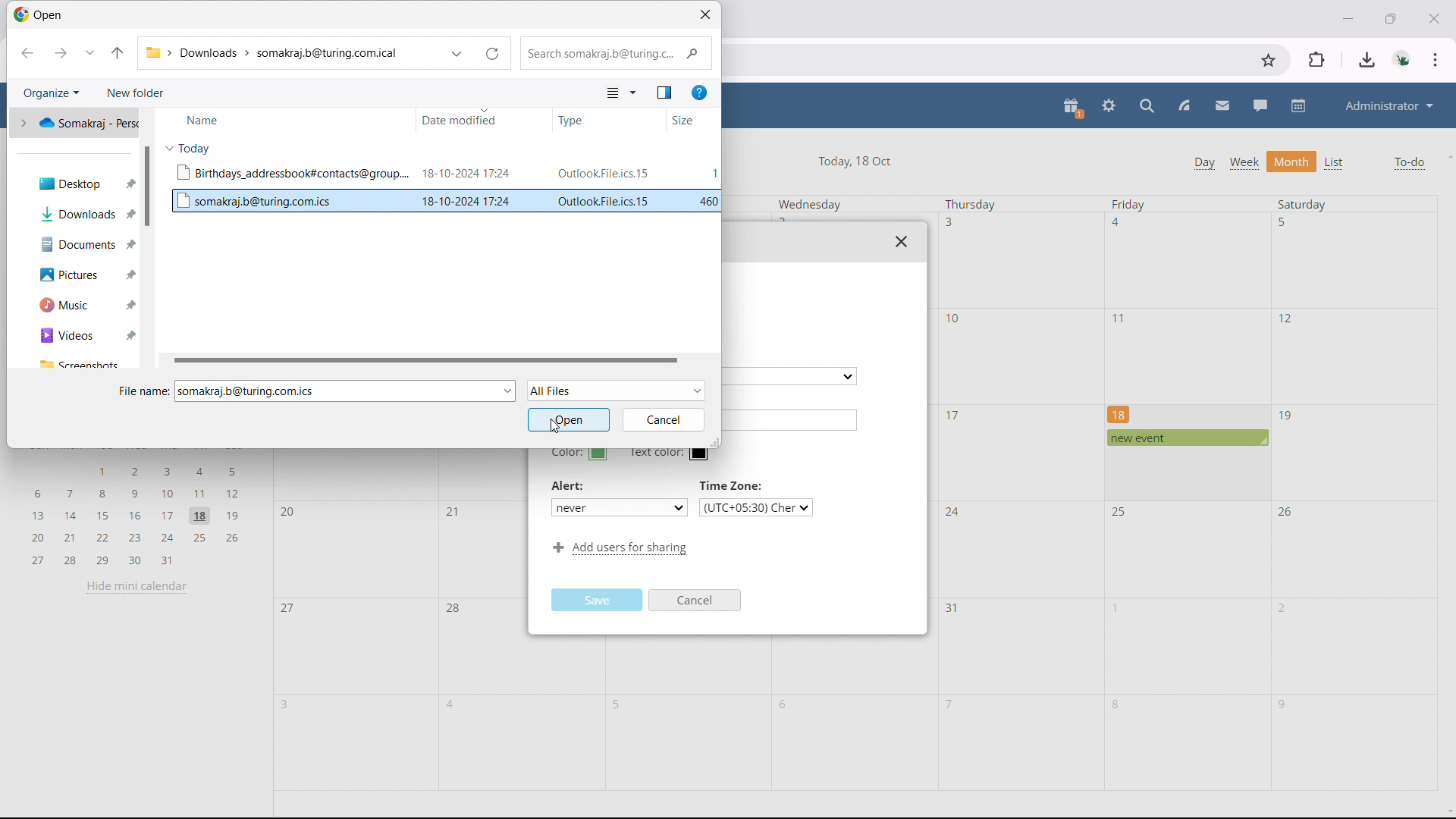 This screenshot has height=819, width=1456. What do you see at coordinates (786, 705) in the screenshot?
I see `6` at bounding box center [786, 705].